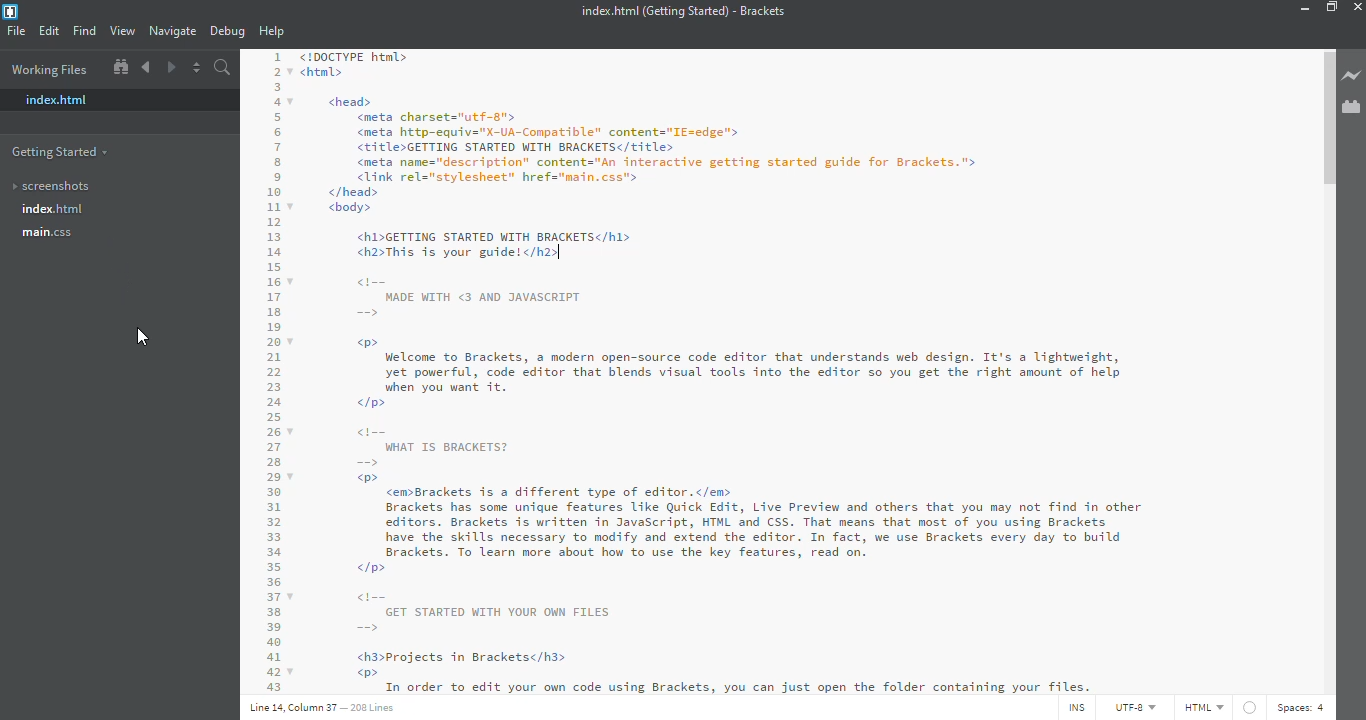 The height and width of the screenshot is (720, 1366). I want to click on find, so click(86, 30).